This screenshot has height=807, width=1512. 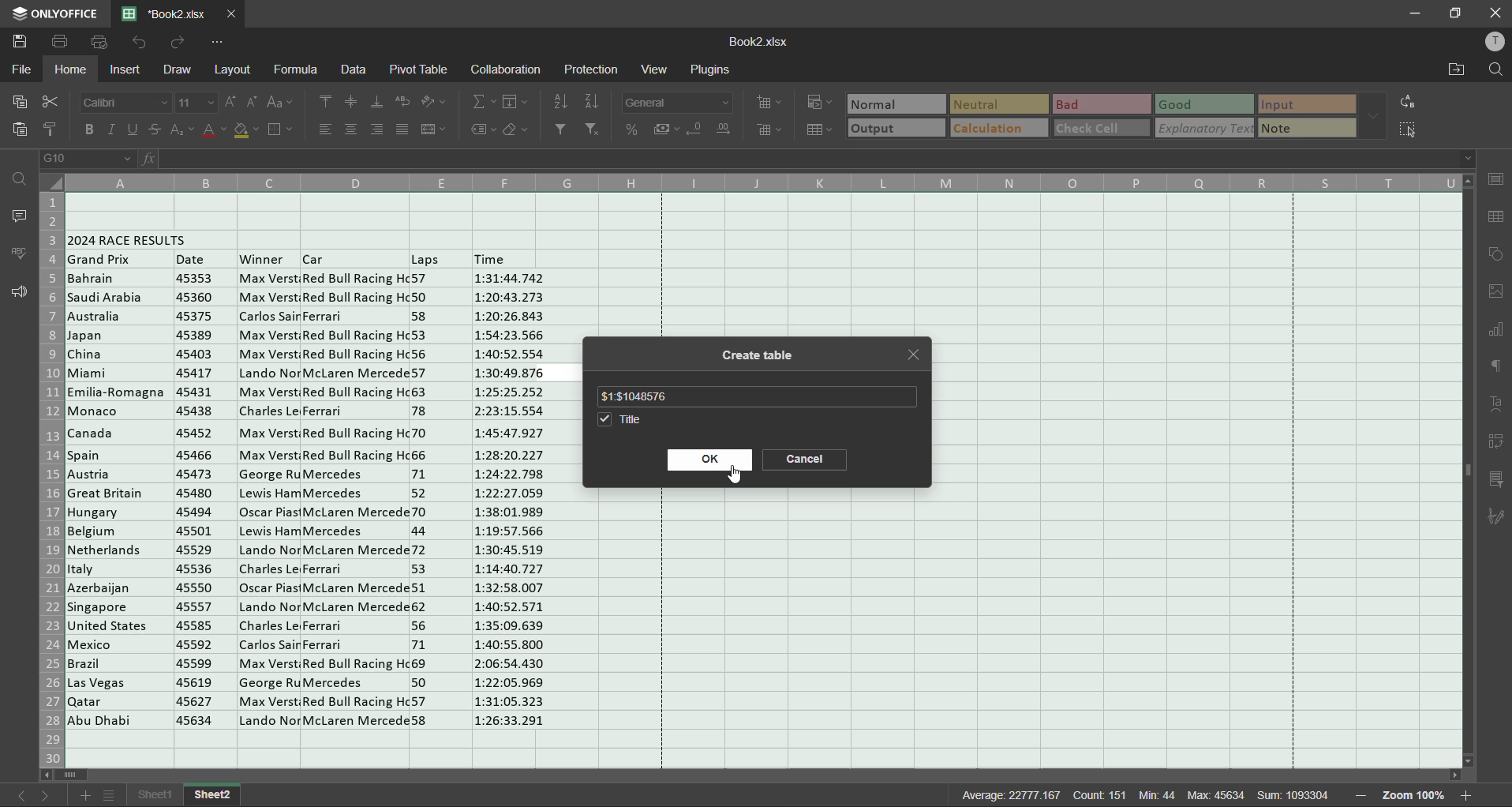 I want to click on copy style, so click(x=51, y=127).